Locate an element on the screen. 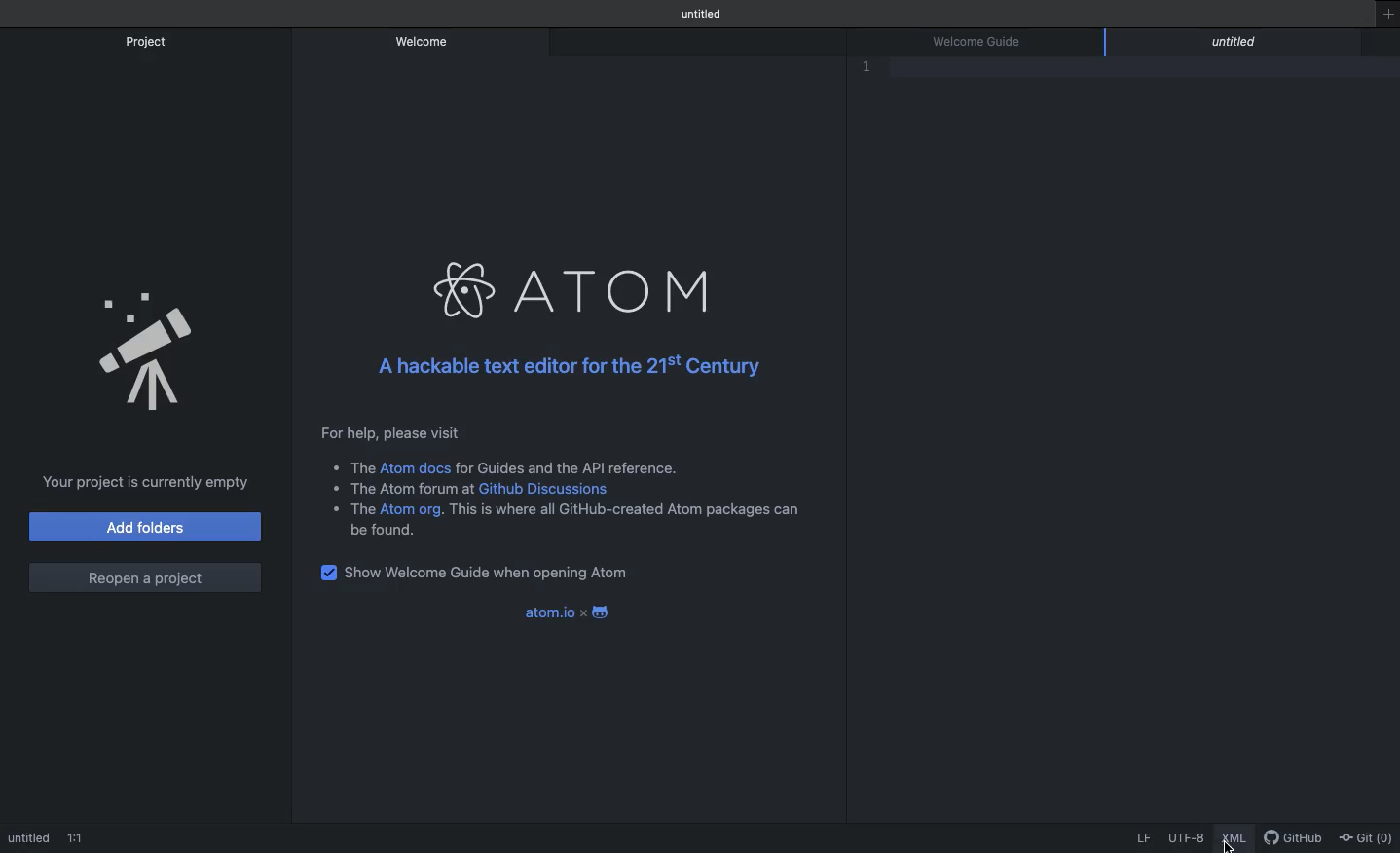  Show Welcome guide when opening Atom is located at coordinates (495, 574).